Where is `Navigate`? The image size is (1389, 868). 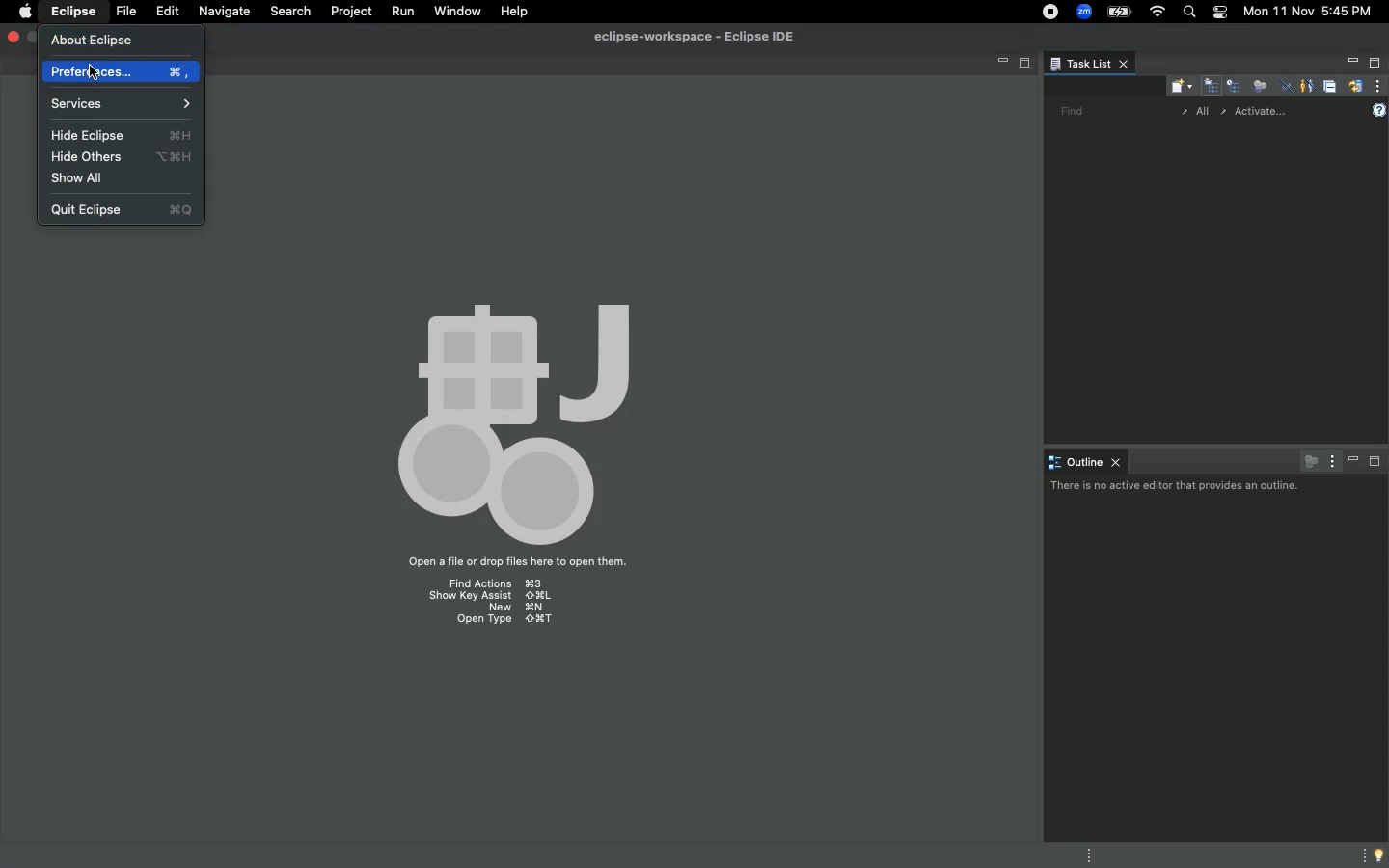 Navigate is located at coordinates (224, 11).